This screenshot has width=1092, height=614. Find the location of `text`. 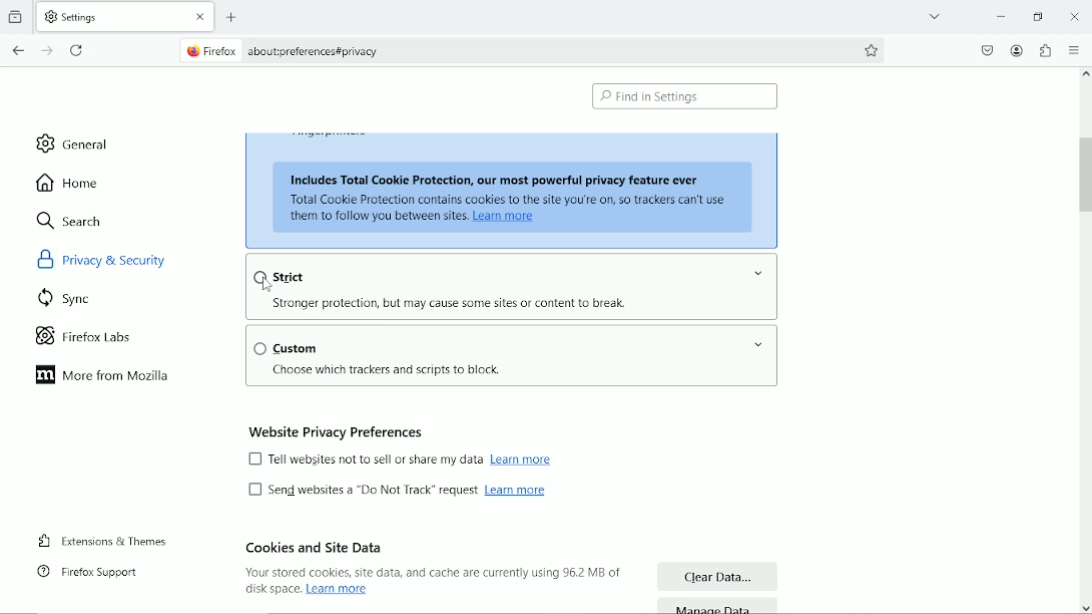

text is located at coordinates (372, 490).